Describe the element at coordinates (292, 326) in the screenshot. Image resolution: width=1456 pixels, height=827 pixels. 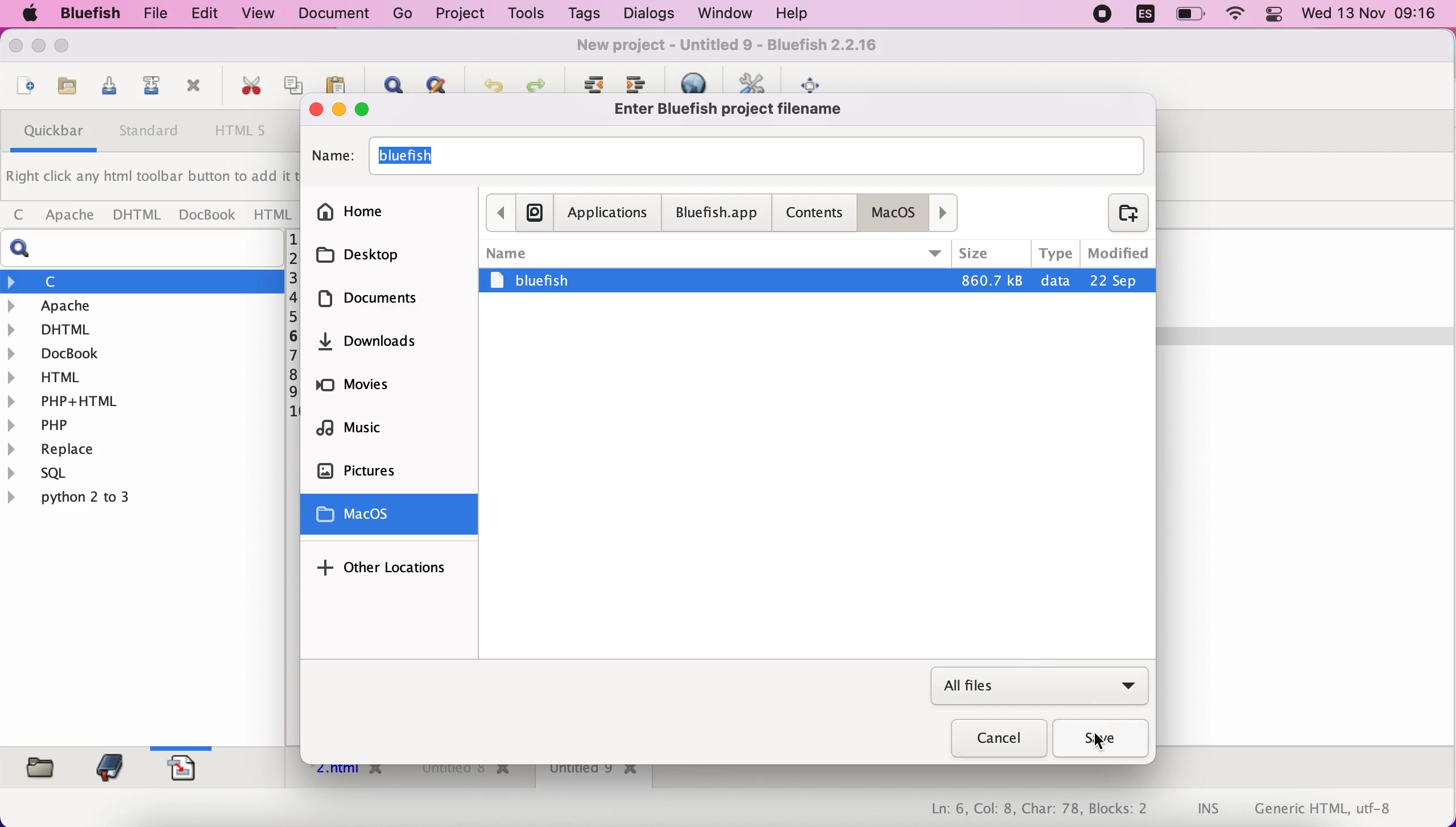
I see `line number` at that location.